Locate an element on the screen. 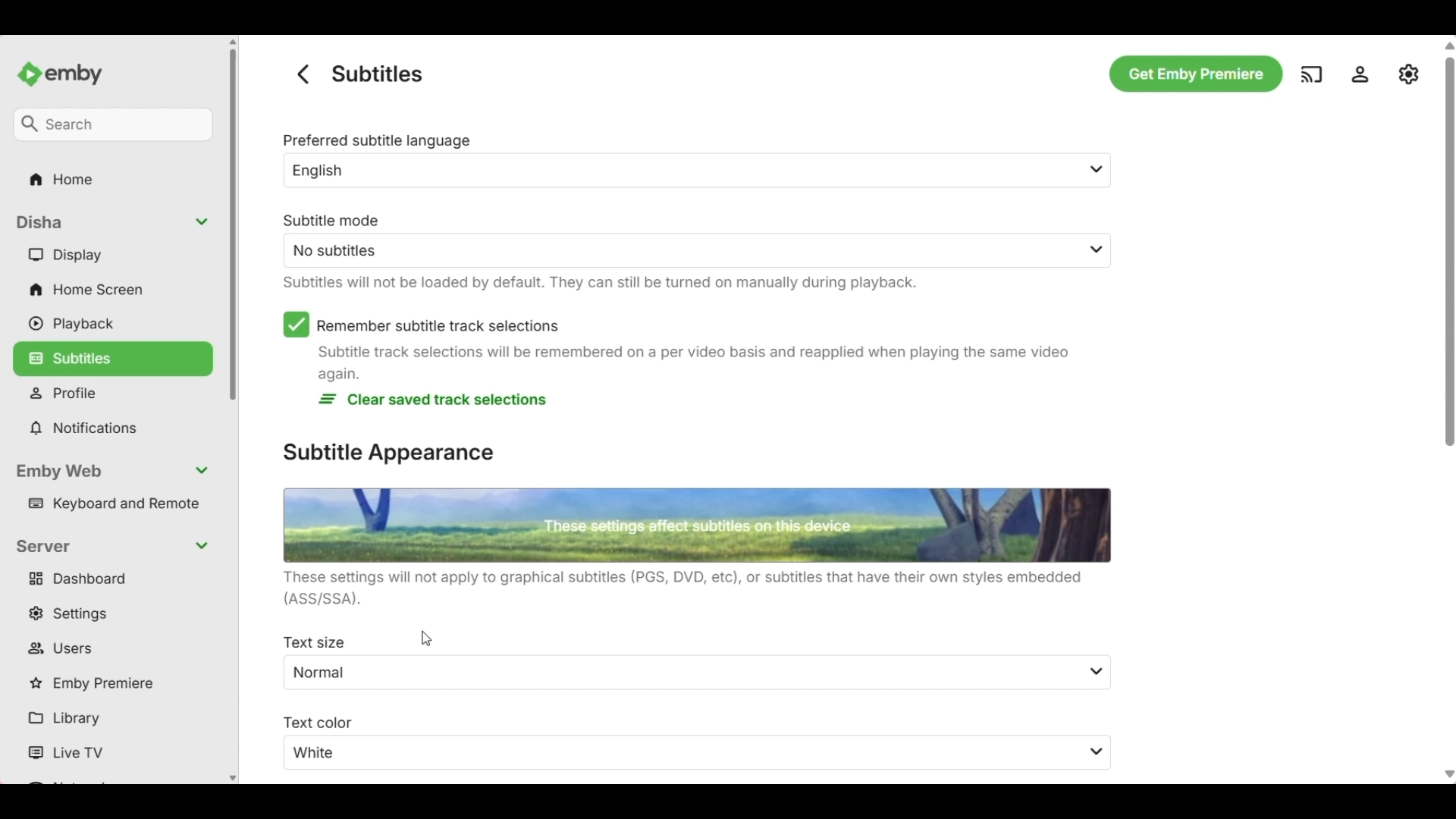 The height and width of the screenshot is (819, 1456).  is located at coordinates (1098, 250).